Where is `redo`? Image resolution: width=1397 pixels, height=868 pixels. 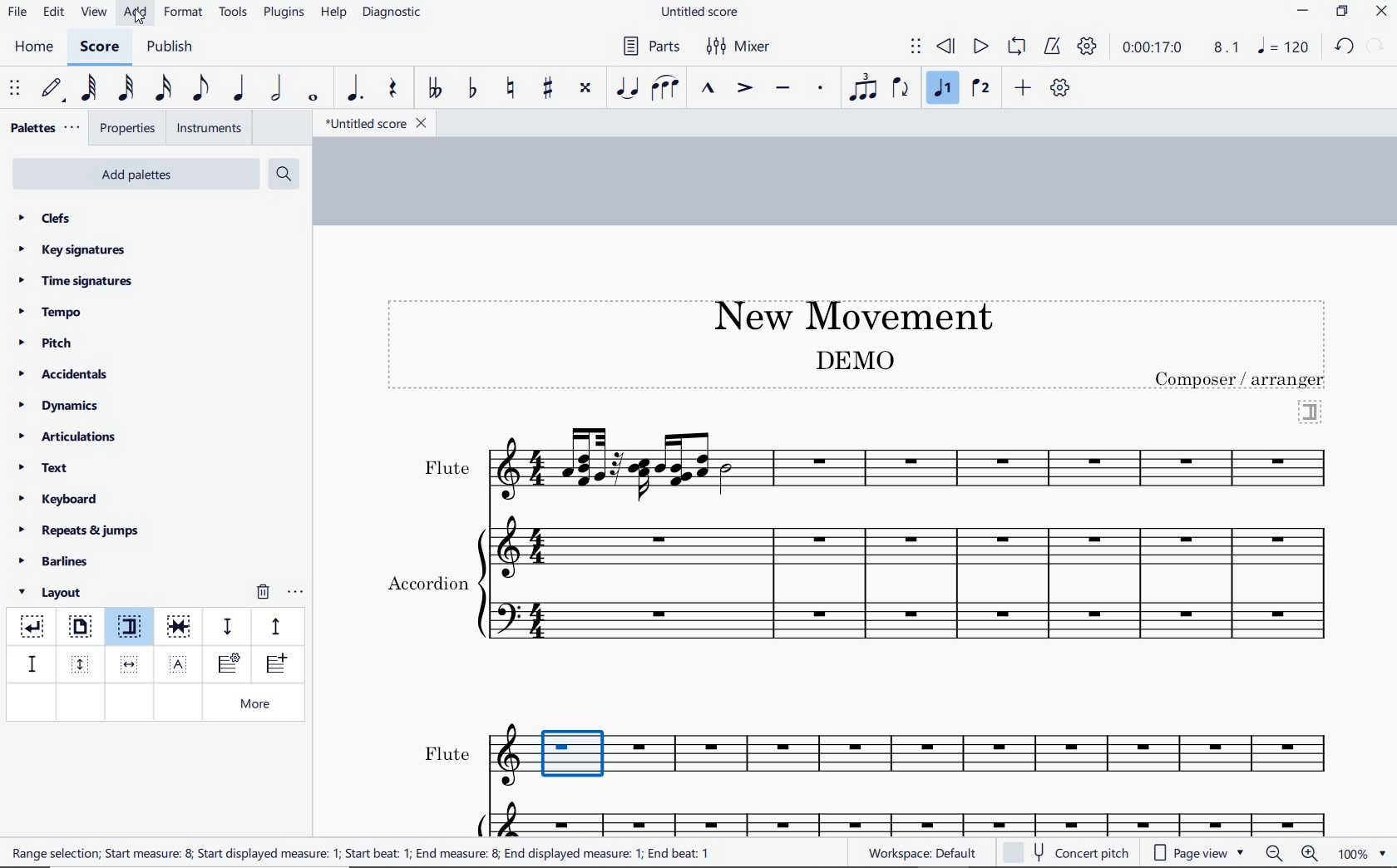 redo is located at coordinates (1344, 46).